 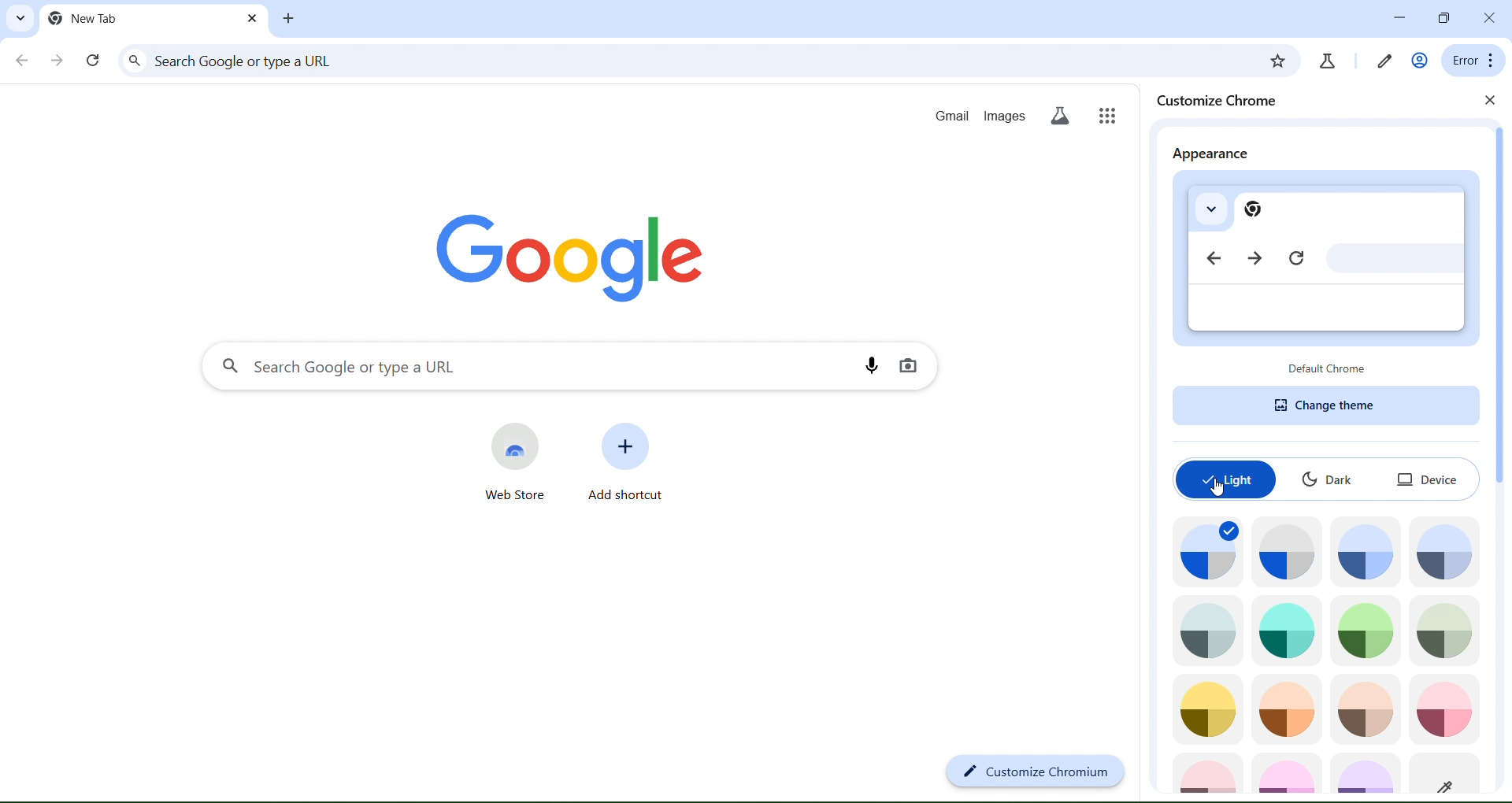 What do you see at coordinates (1395, 17) in the screenshot?
I see `minimize` at bounding box center [1395, 17].